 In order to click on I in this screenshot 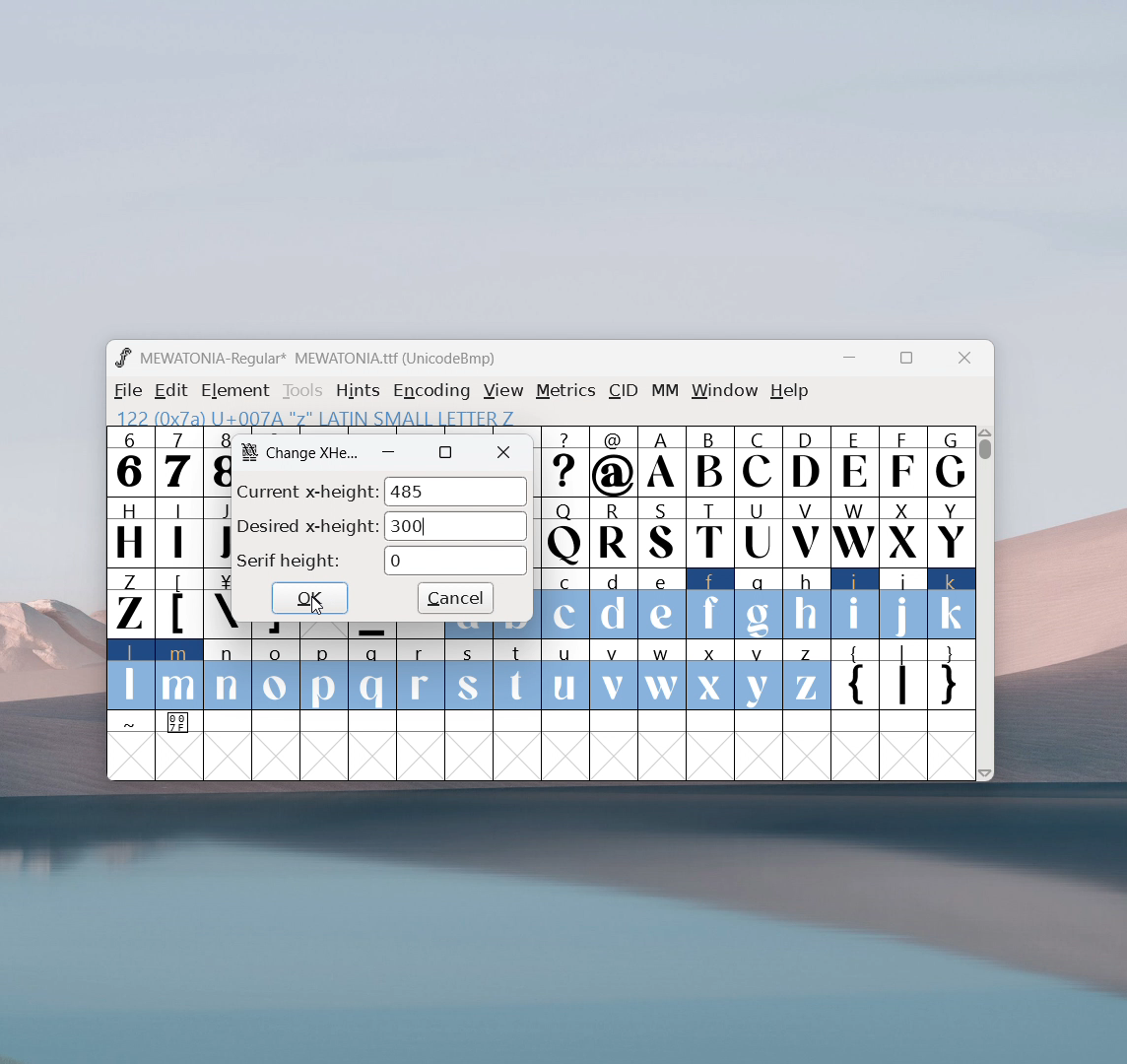, I will do `click(178, 531)`.